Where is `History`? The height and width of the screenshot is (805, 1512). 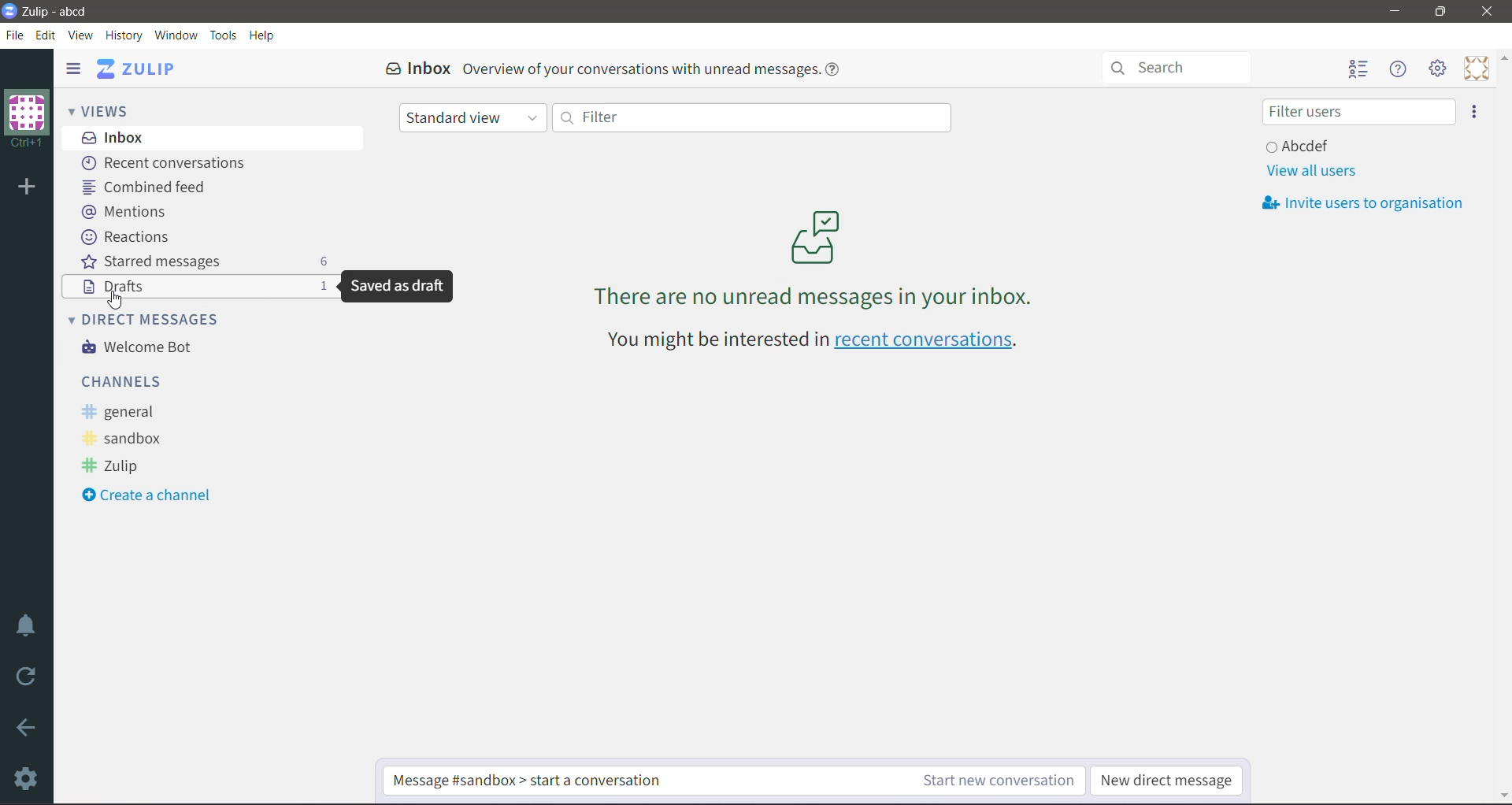 History is located at coordinates (125, 36).